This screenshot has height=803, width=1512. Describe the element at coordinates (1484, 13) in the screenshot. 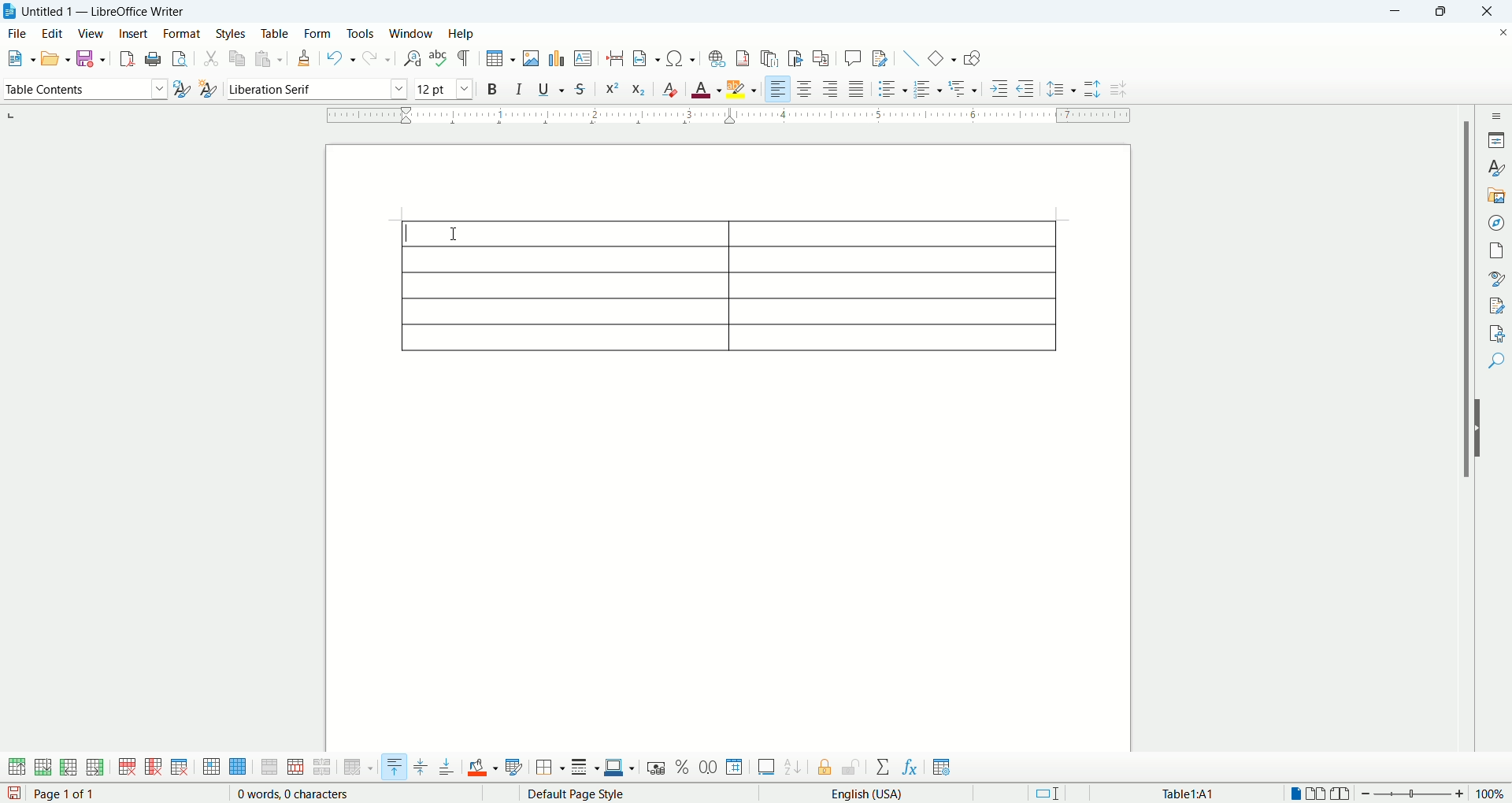

I see `close` at that location.